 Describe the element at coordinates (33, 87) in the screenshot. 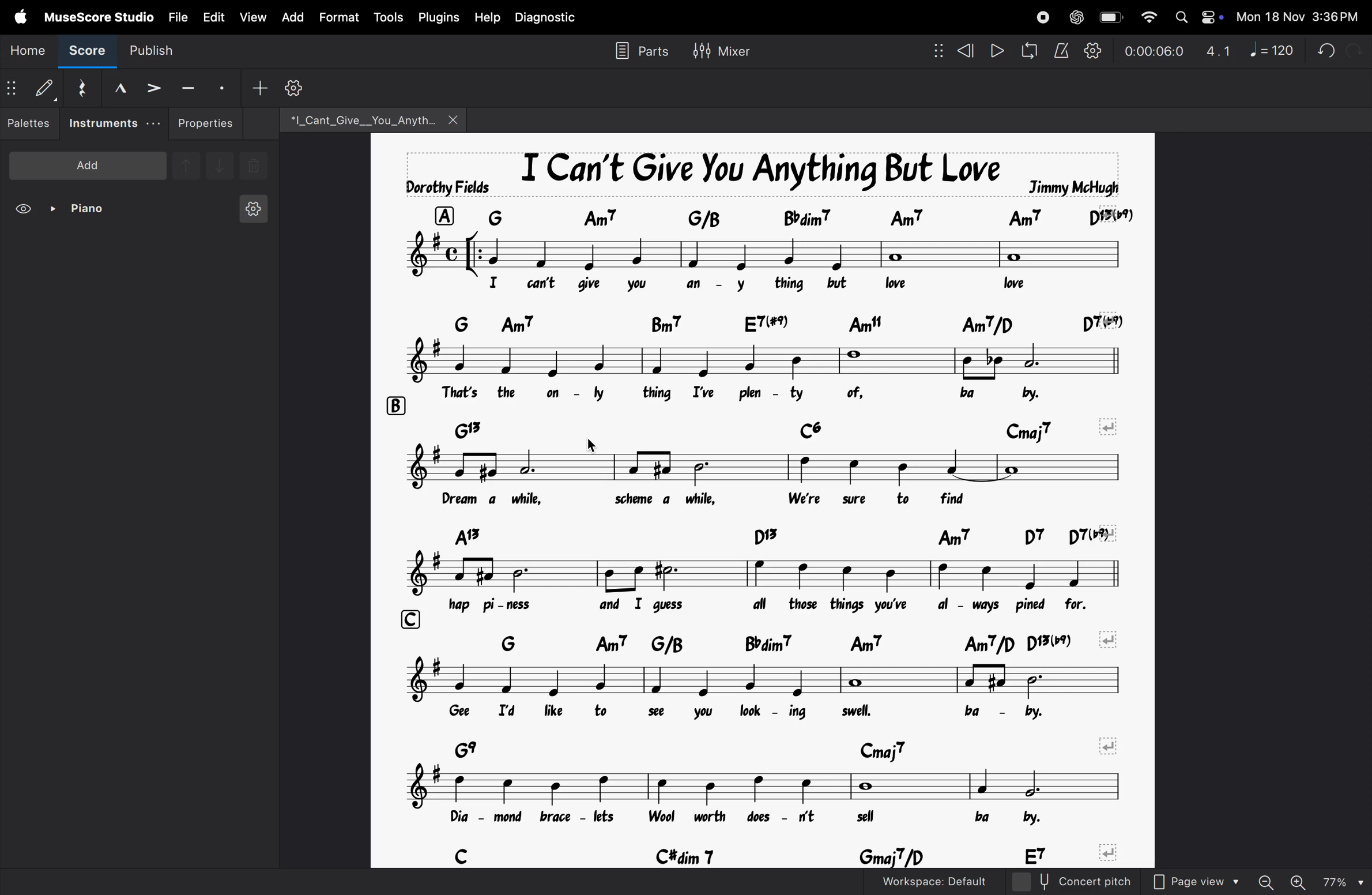

I see ` default` at that location.